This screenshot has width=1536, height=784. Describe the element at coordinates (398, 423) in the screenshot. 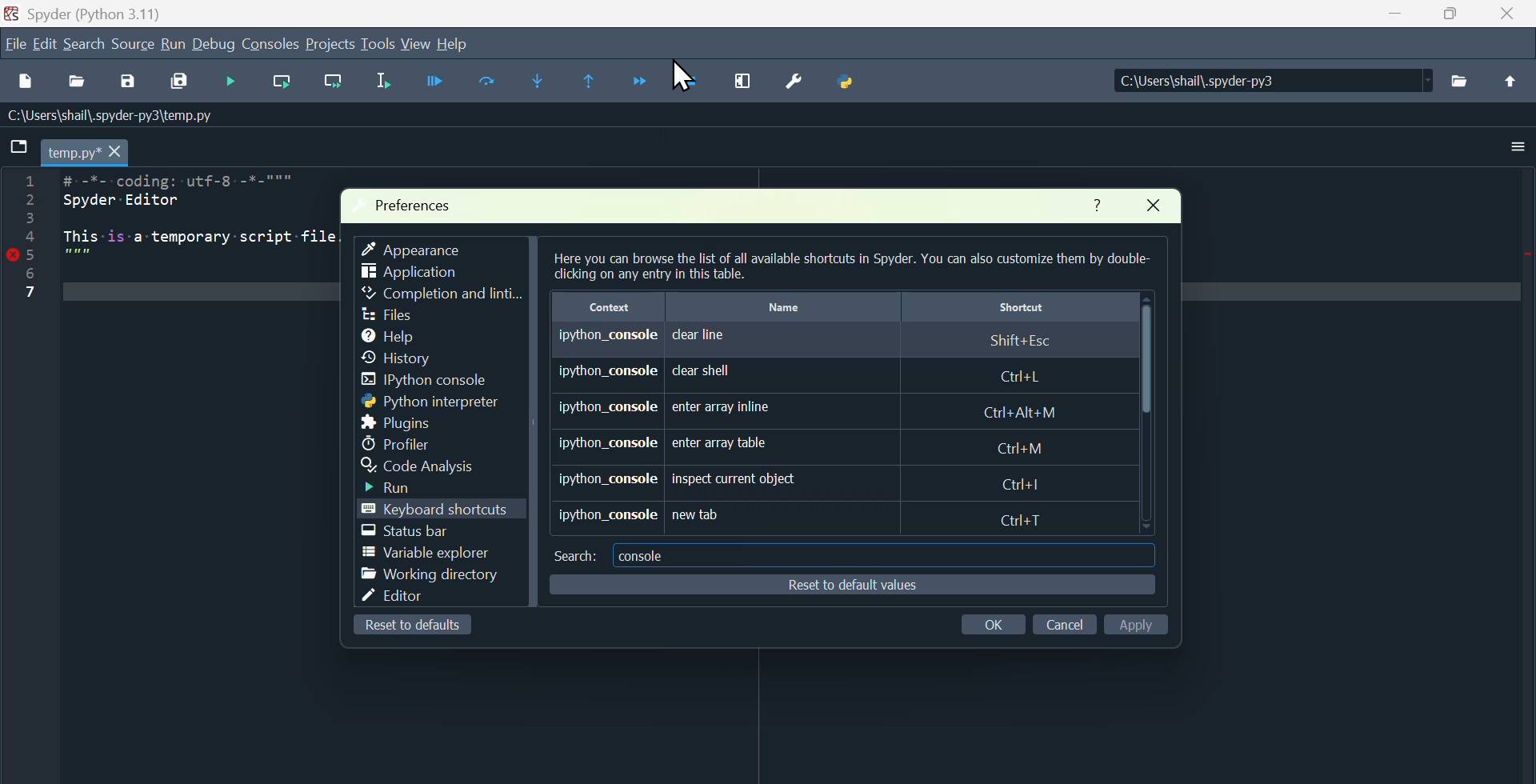

I see `Plugins` at that location.